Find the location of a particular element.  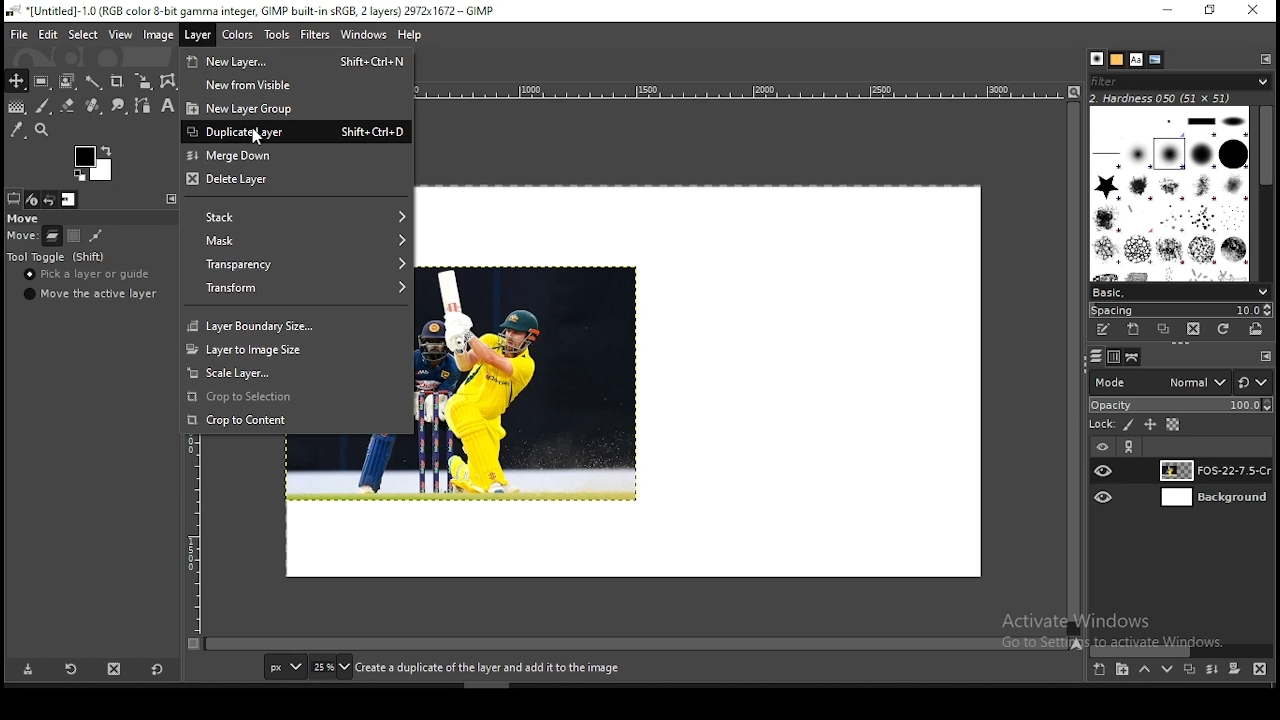

crop tool is located at coordinates (140, 82).